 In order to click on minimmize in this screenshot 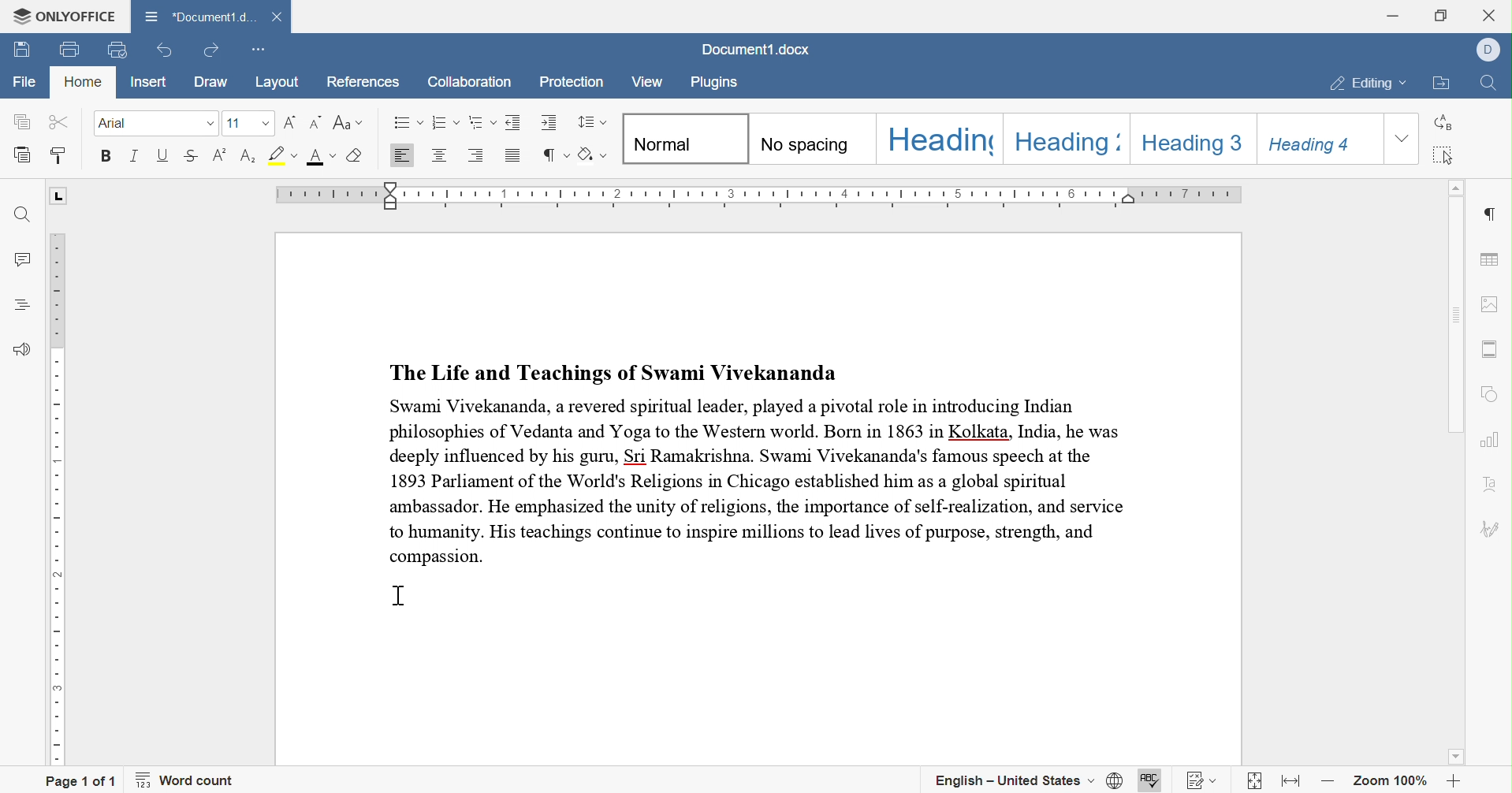, I will do `click(1392, 14)`.